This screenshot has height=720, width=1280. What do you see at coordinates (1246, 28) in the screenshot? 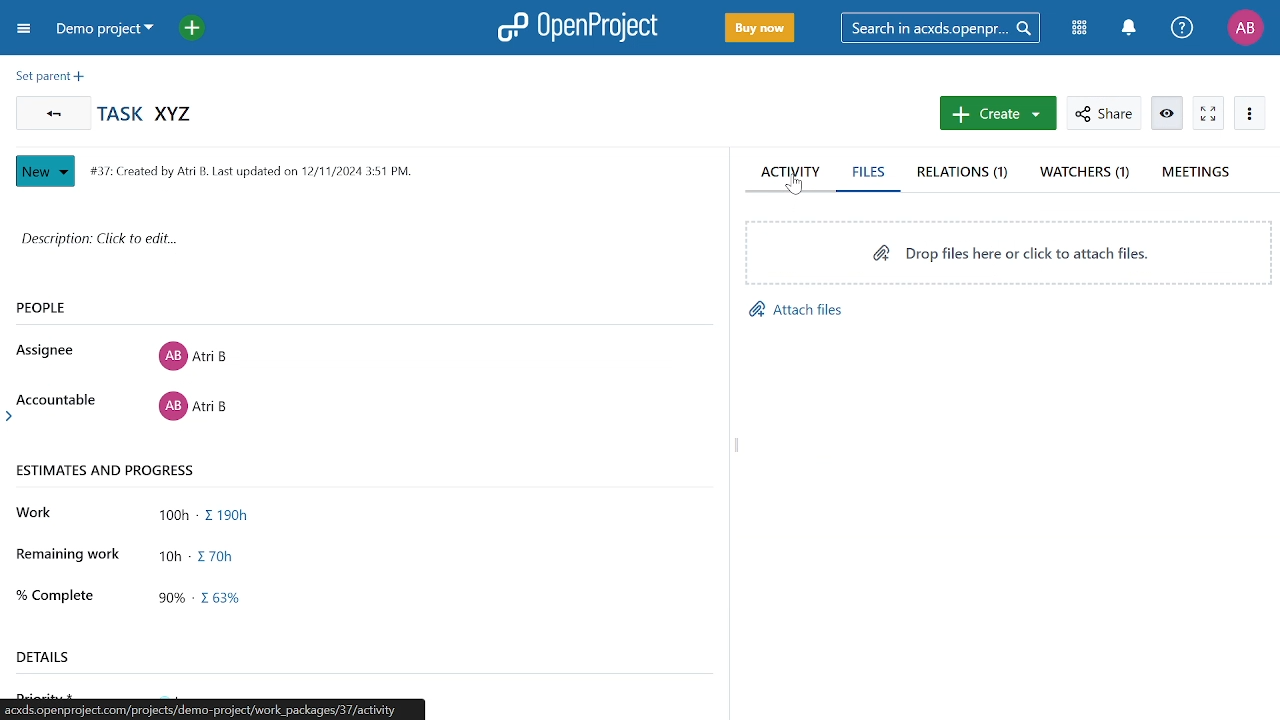
I see `Profile` at bounding box center [1246, 28].